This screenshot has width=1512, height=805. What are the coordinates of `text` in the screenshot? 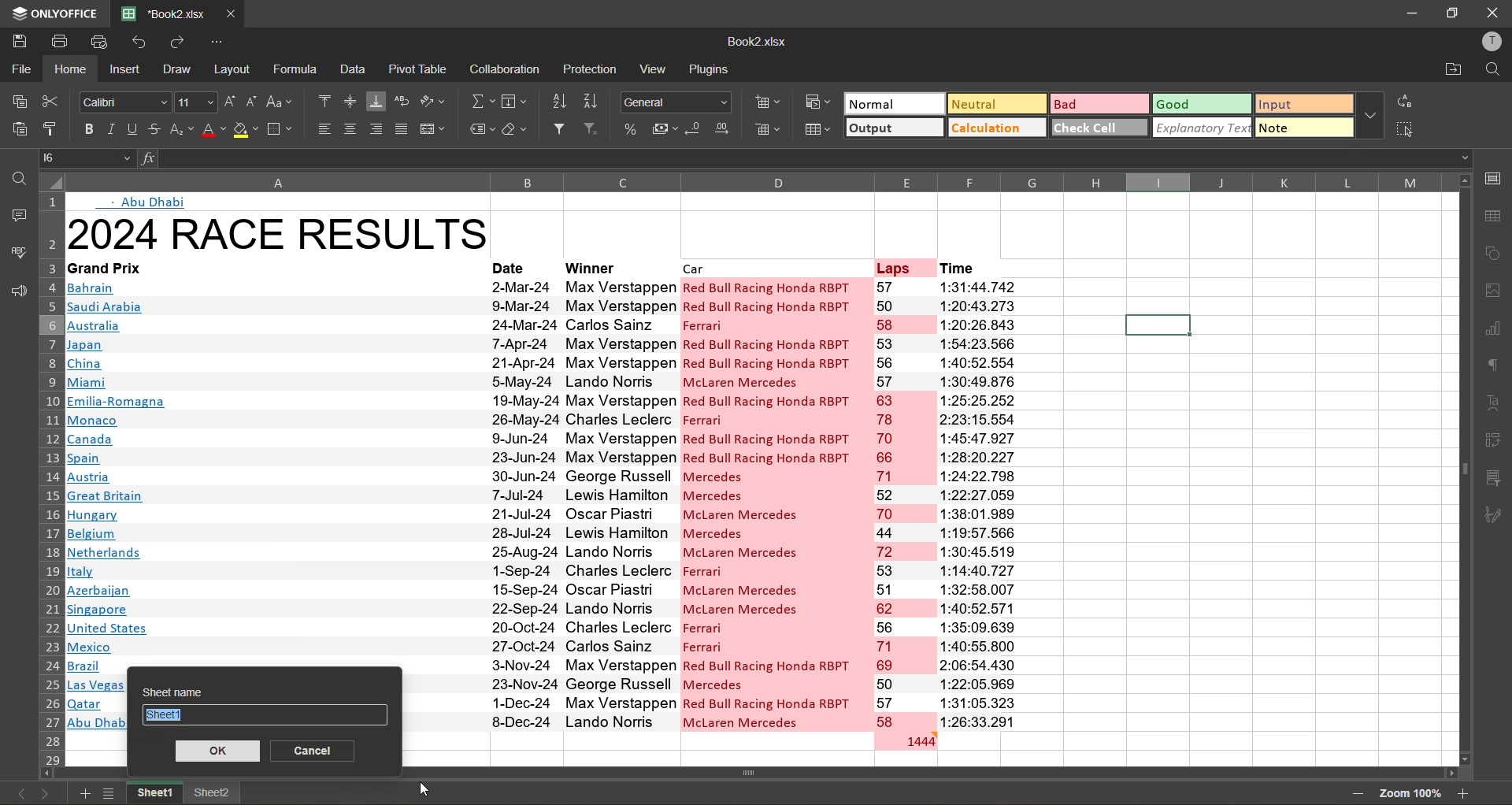 It's located at (1496, 406).